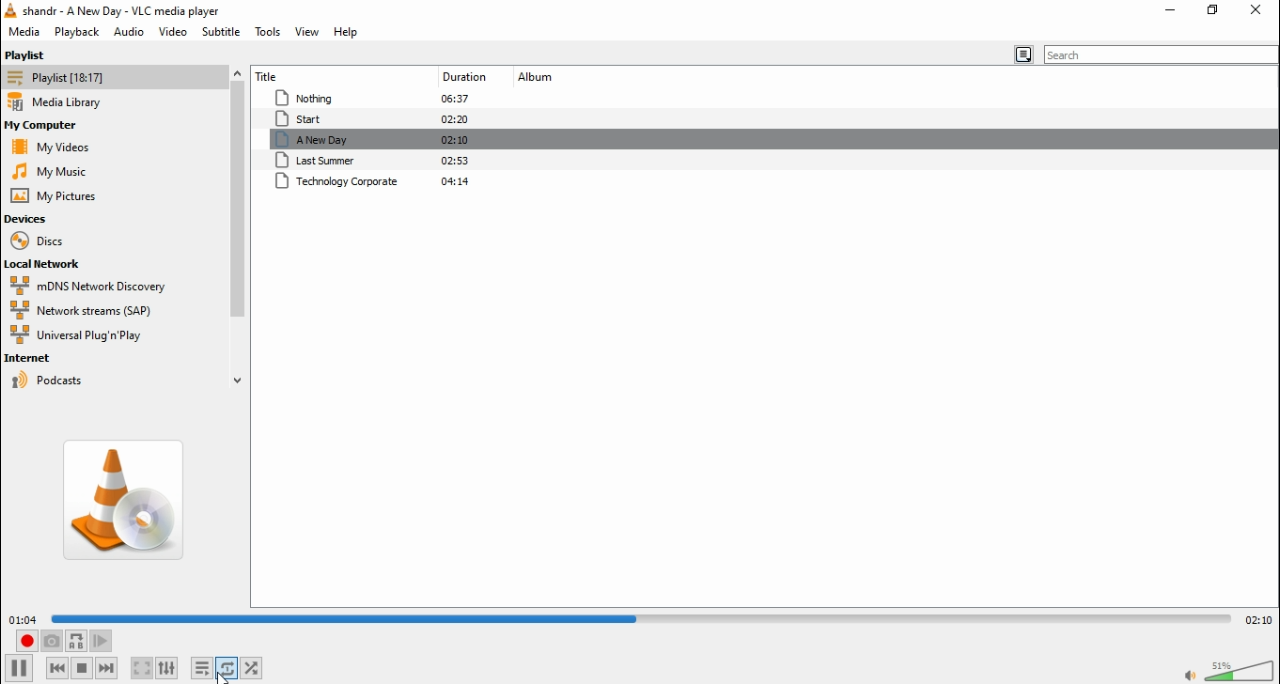  I want to click on toggle playlist, so click(201, 666).